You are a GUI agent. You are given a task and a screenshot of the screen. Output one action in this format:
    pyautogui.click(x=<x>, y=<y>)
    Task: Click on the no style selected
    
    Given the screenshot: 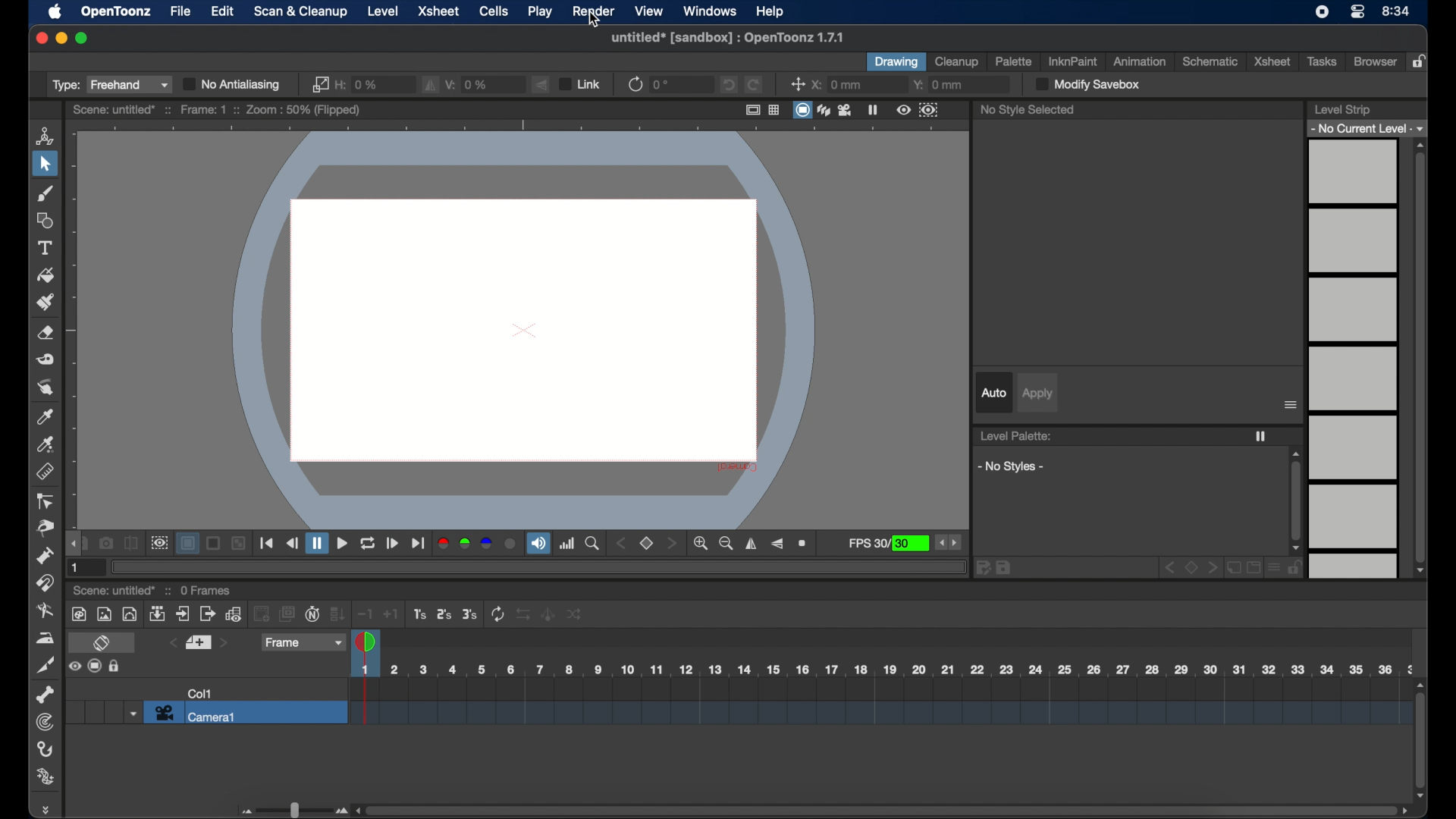 What is the action you would take?
    pyautogui.click(x=1028, y=109)
    